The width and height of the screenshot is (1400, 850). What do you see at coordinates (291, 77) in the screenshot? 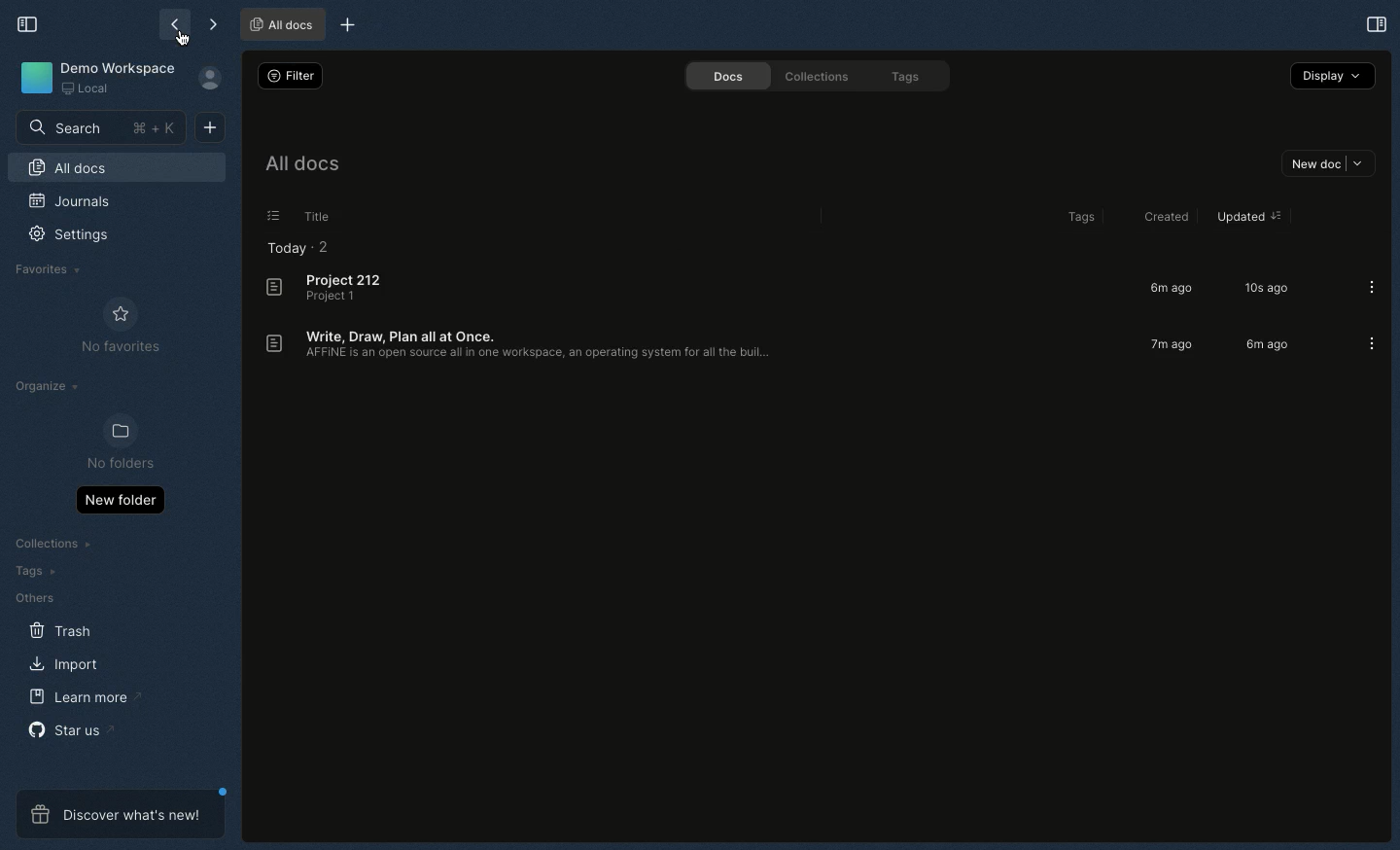
I see `Switch` at bounding box center [291, 77].